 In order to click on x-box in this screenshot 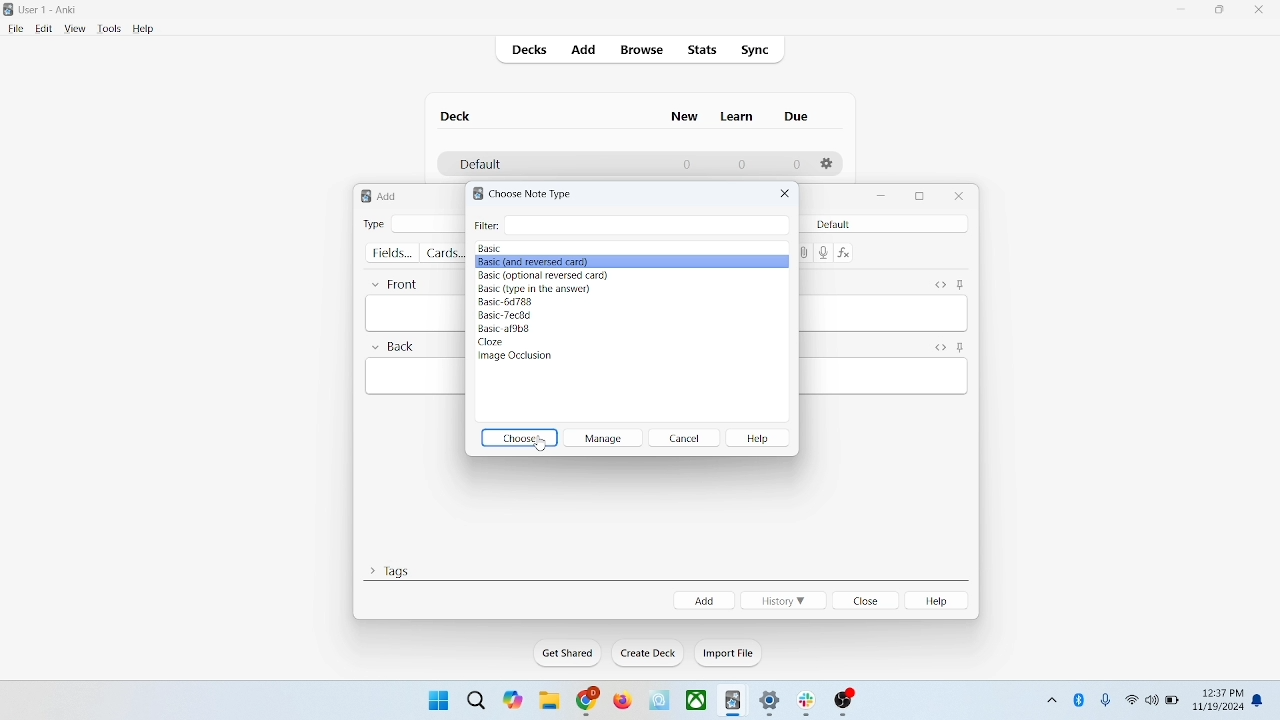, I will do `click(697, 700)`.